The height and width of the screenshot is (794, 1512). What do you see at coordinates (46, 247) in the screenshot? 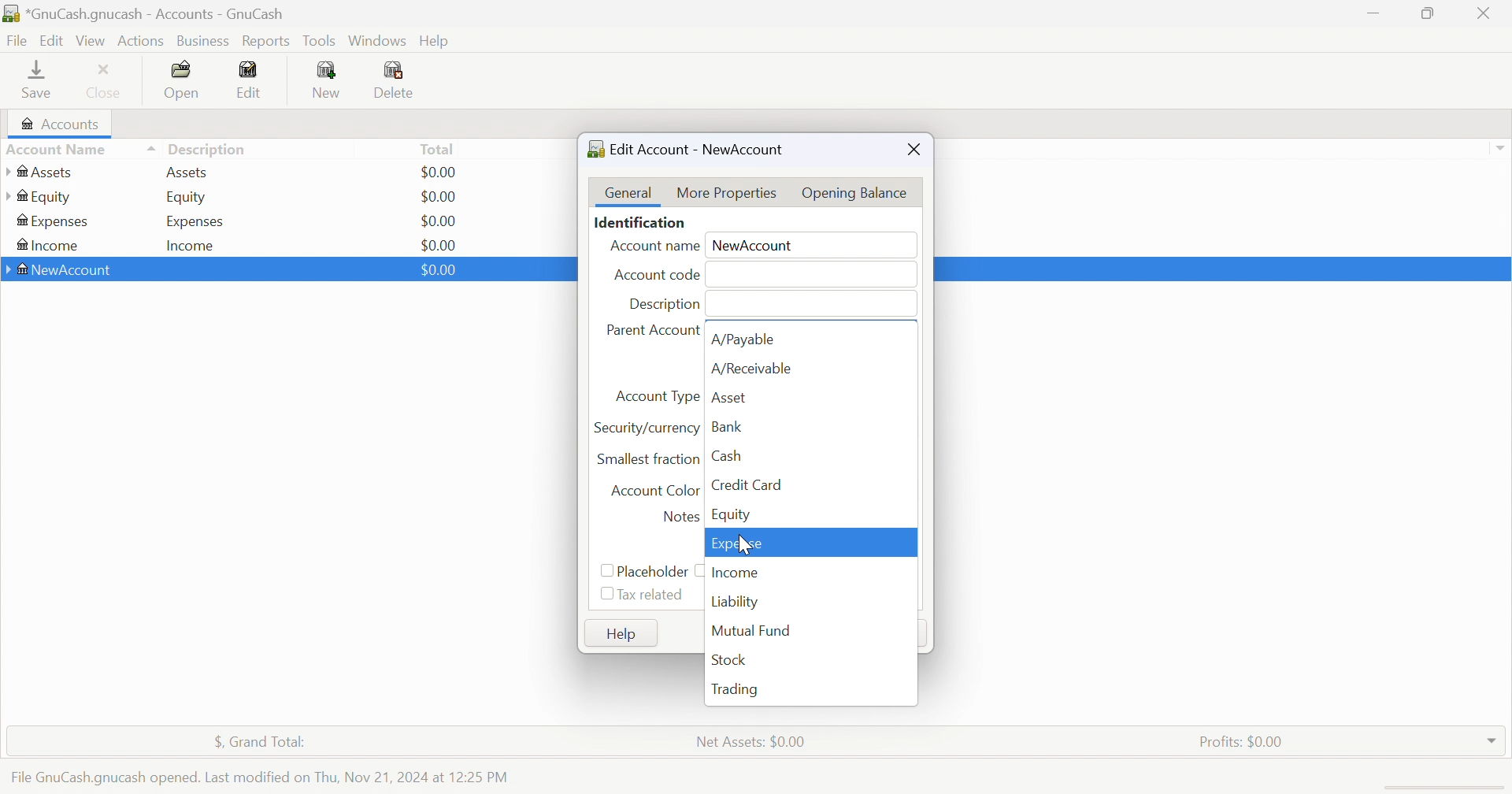
I see `Income` at bounding box center [46, 247].